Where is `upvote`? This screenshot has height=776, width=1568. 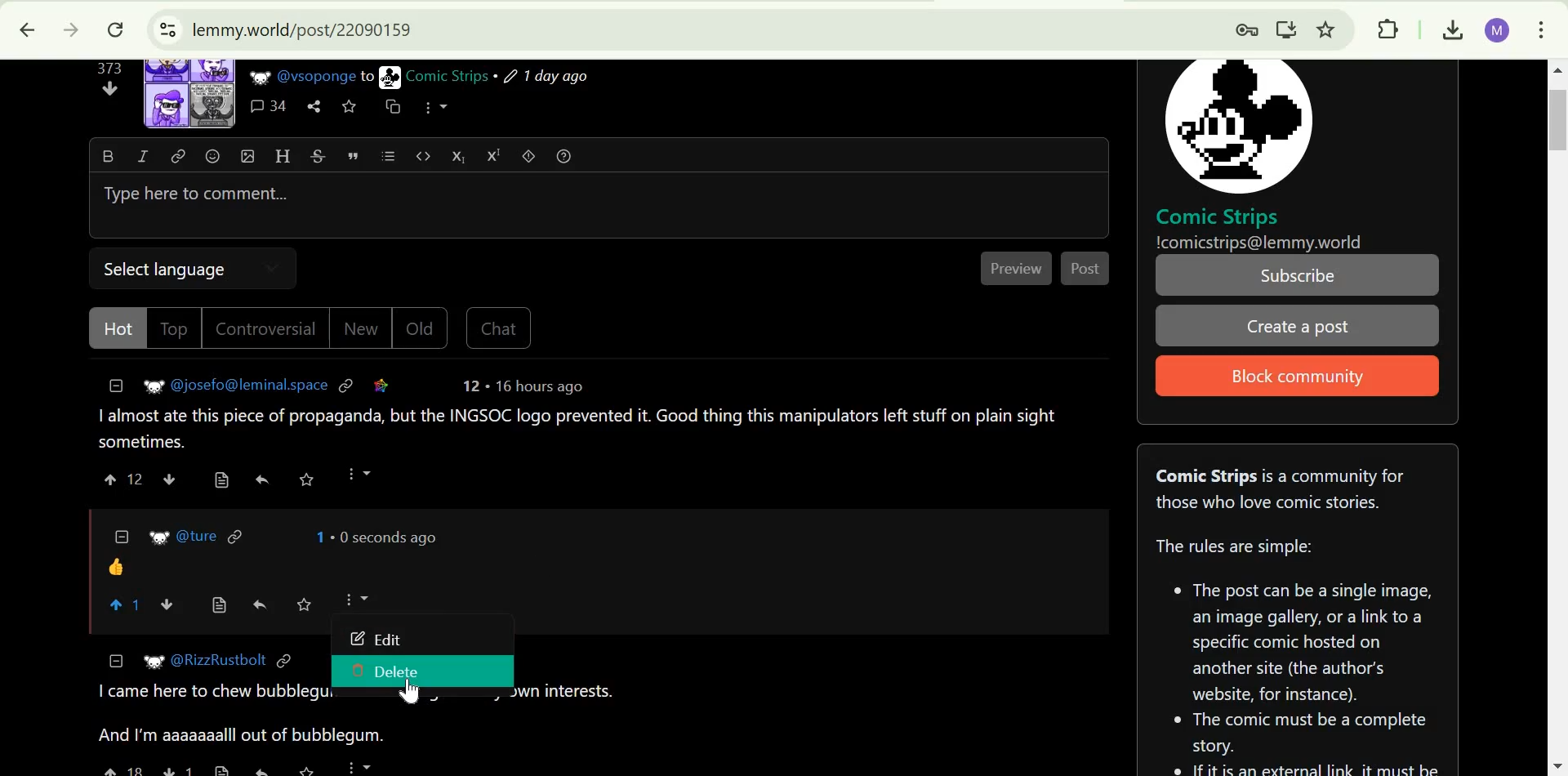
upvote is located at coordinates (112, 479).